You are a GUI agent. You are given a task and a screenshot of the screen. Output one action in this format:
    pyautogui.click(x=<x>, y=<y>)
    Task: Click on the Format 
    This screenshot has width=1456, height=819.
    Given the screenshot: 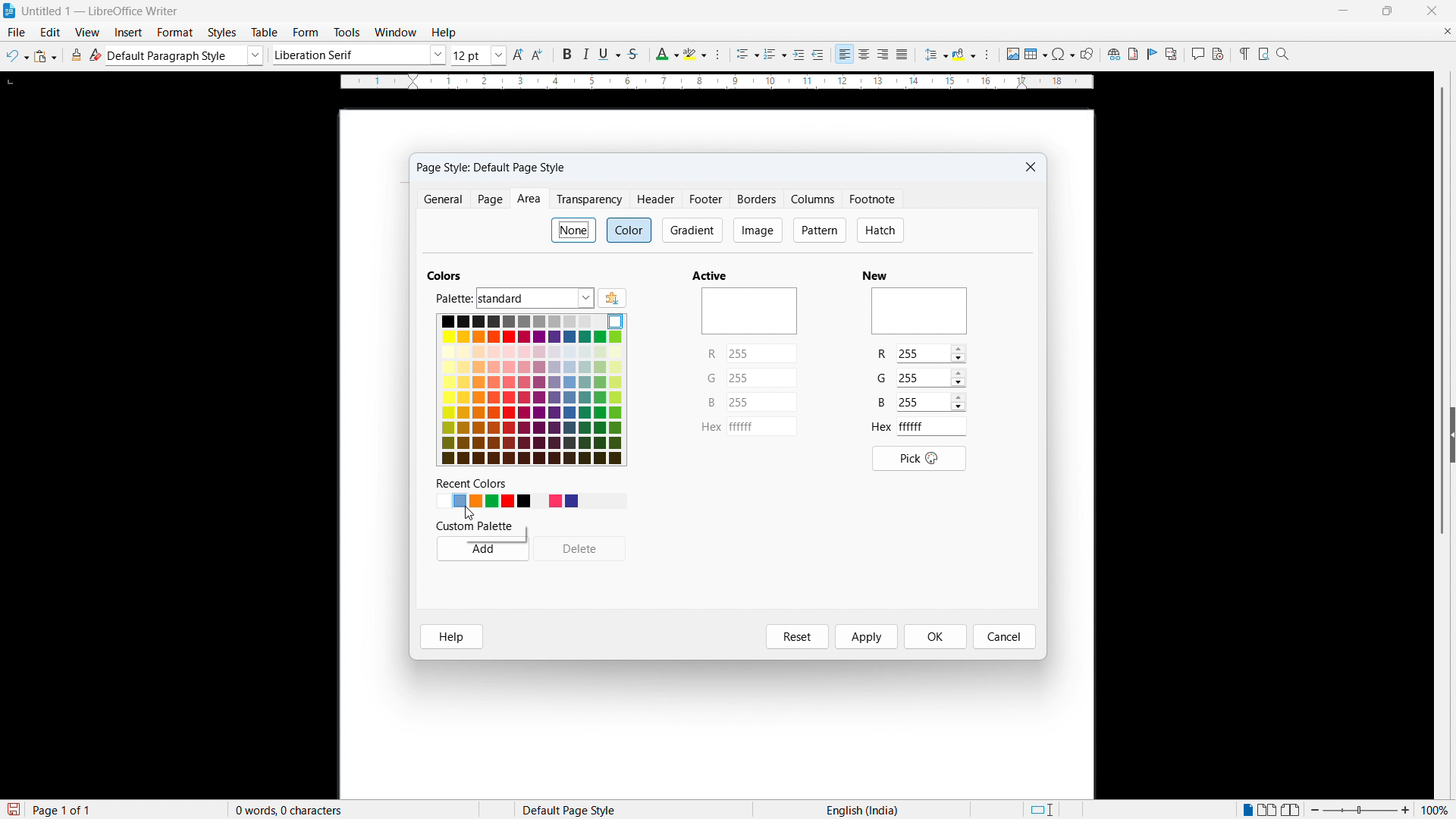 What is the action you would take?
    pyautogui.click(x=175, y=32)
    